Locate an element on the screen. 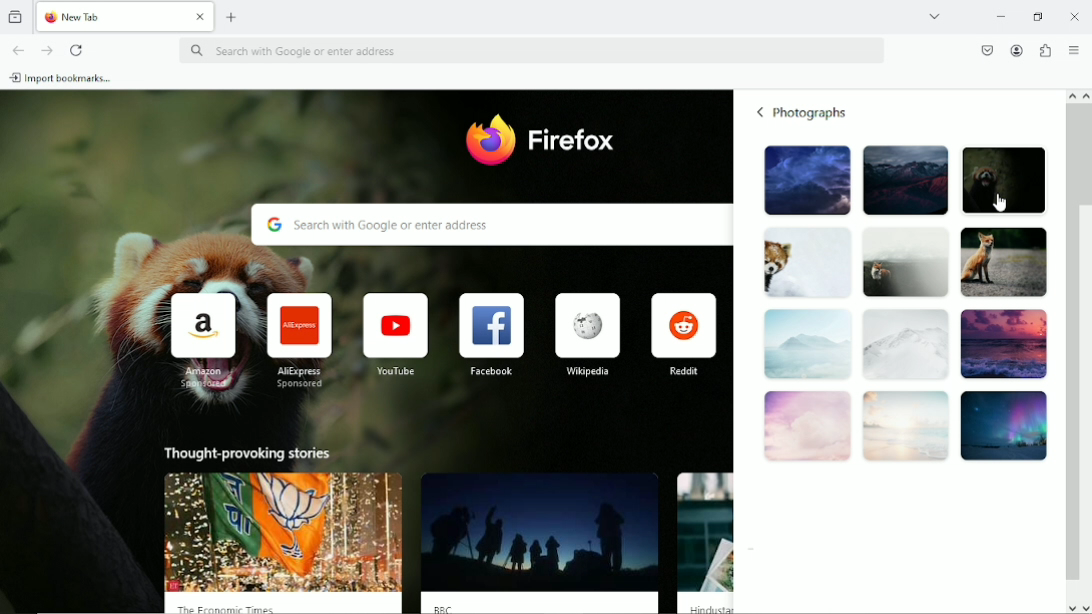 This screenshot has height=614, width=1092. Photograph is located at coordinates (1002, 345).